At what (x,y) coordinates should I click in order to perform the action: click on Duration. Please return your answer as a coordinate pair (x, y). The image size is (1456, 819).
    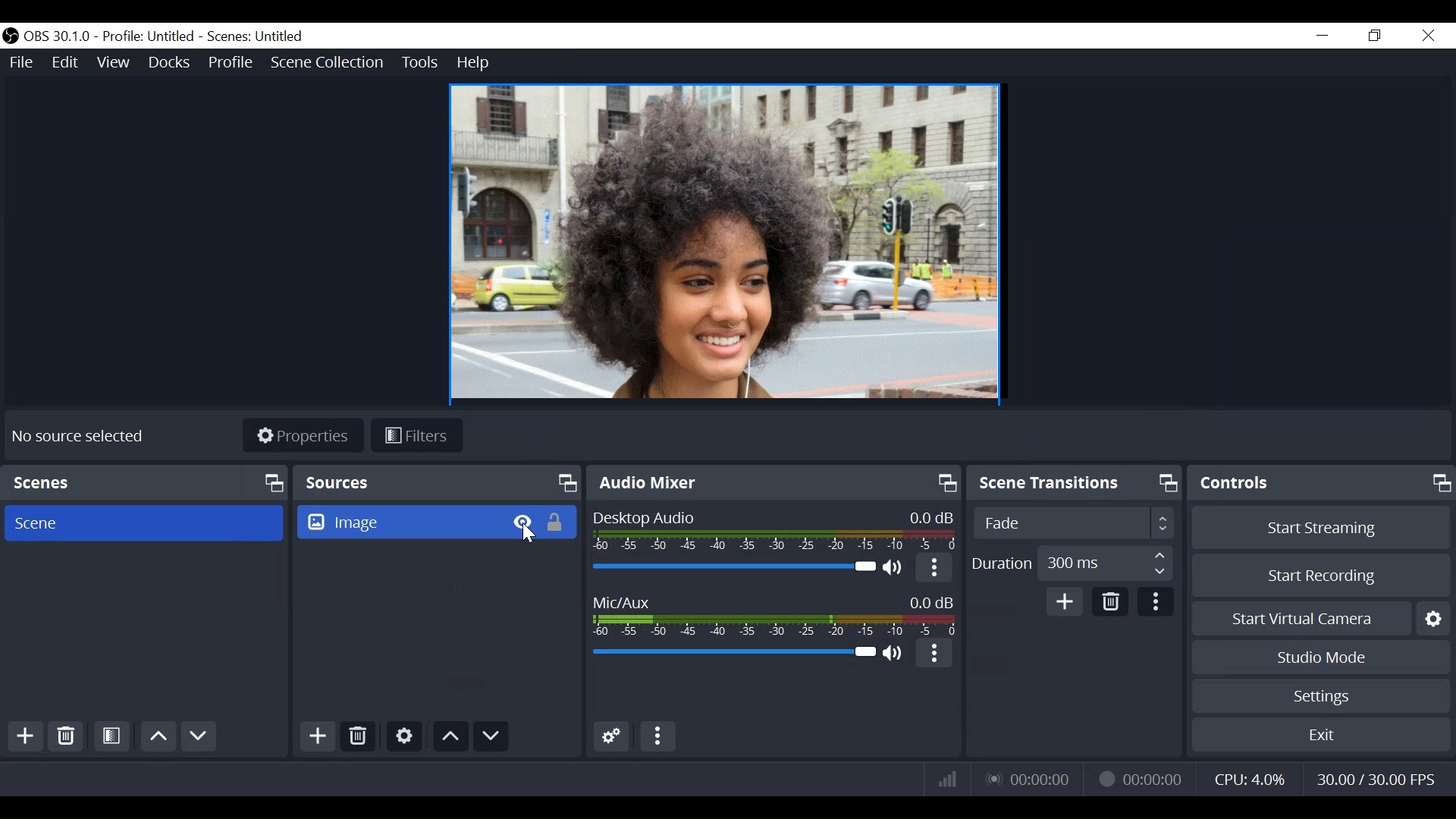
    Looking at the image, I should click on (1073, 563).